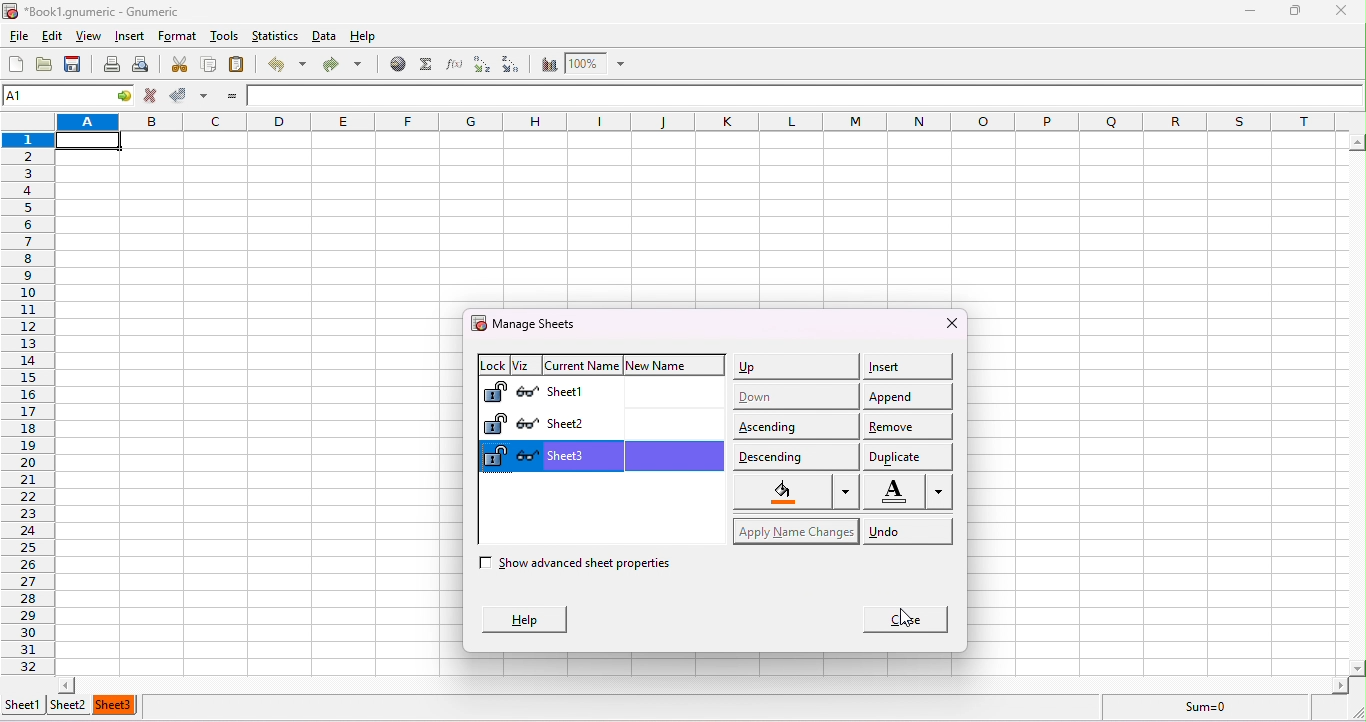  What do you see at coordinates (911, 394) in the screenshot?
I see `append` at bounding box center [911, 394].